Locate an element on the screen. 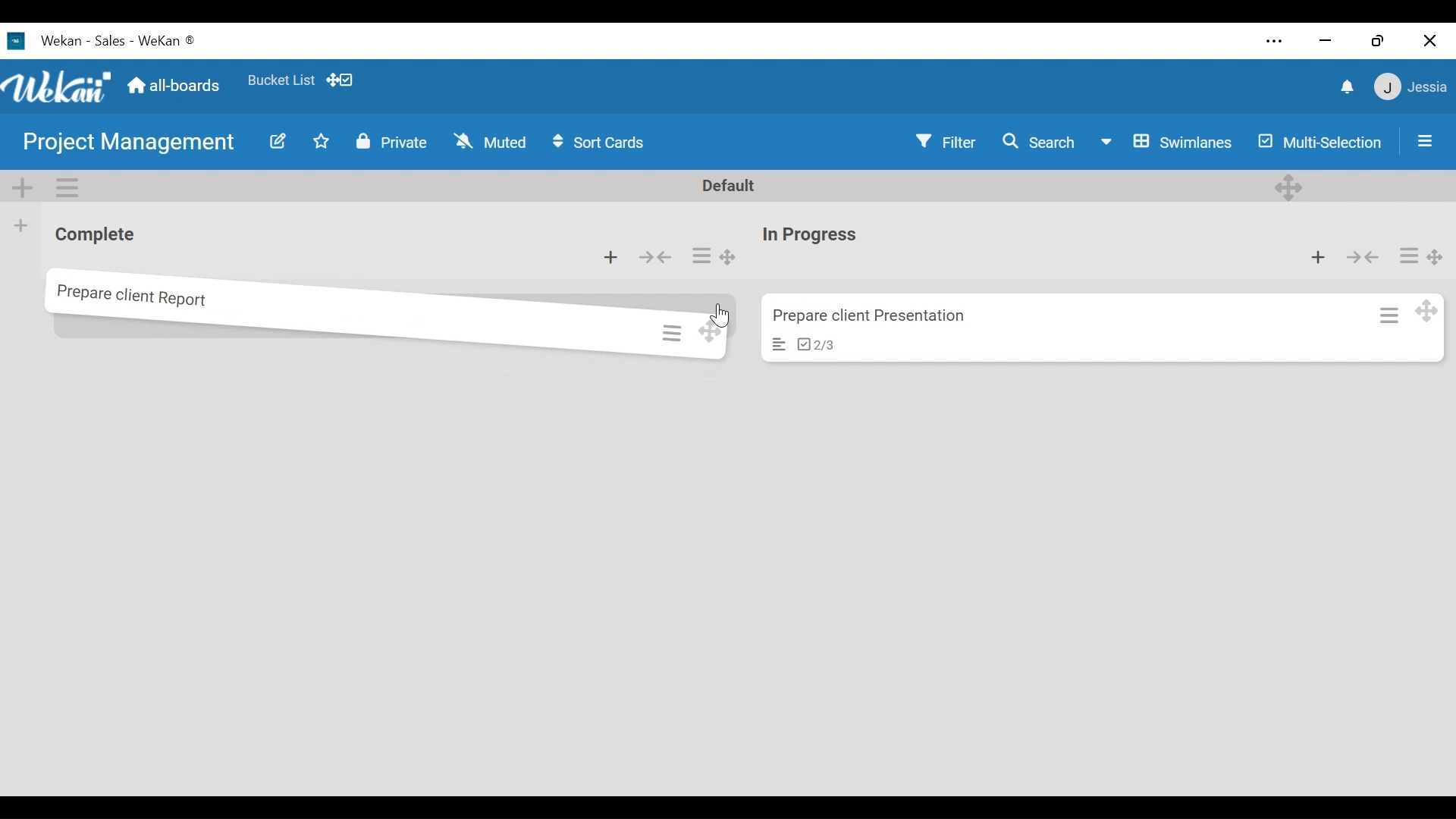  Desktop drag handles is located at coordinates (1287, 186).